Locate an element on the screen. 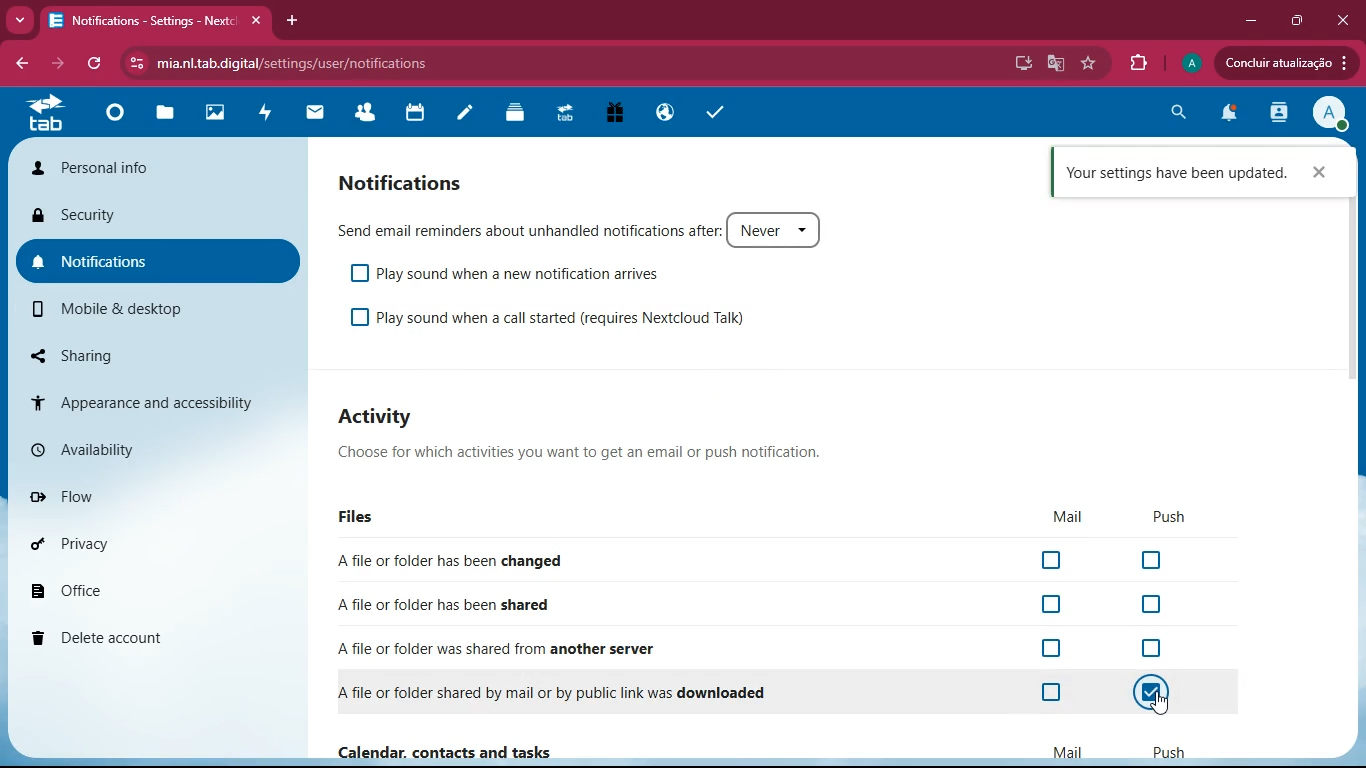  refresh is located at coordinates (95, 63).